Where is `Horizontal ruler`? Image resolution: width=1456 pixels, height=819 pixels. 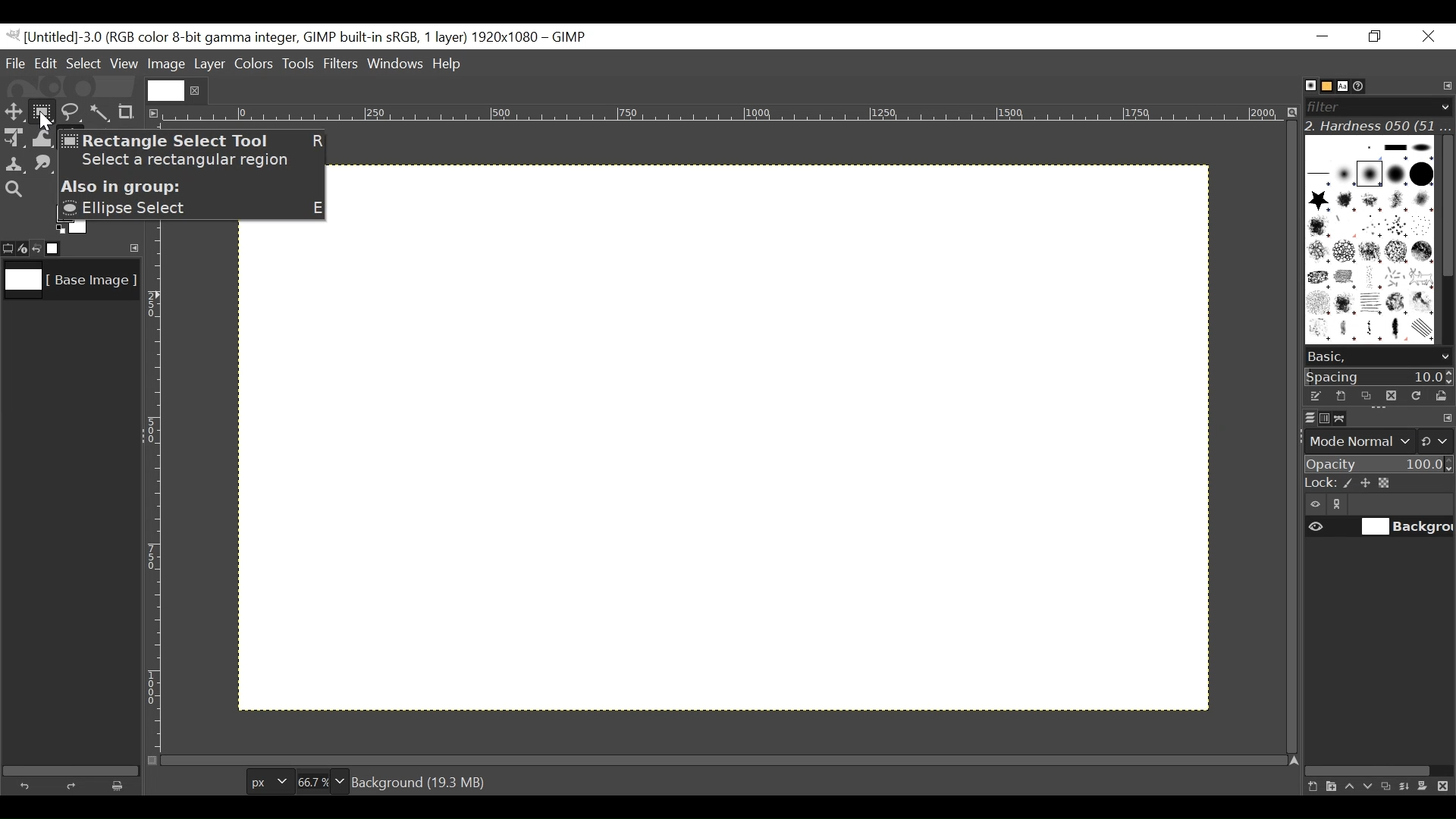 Horizontal ruler is located at coordinates (725, 116).